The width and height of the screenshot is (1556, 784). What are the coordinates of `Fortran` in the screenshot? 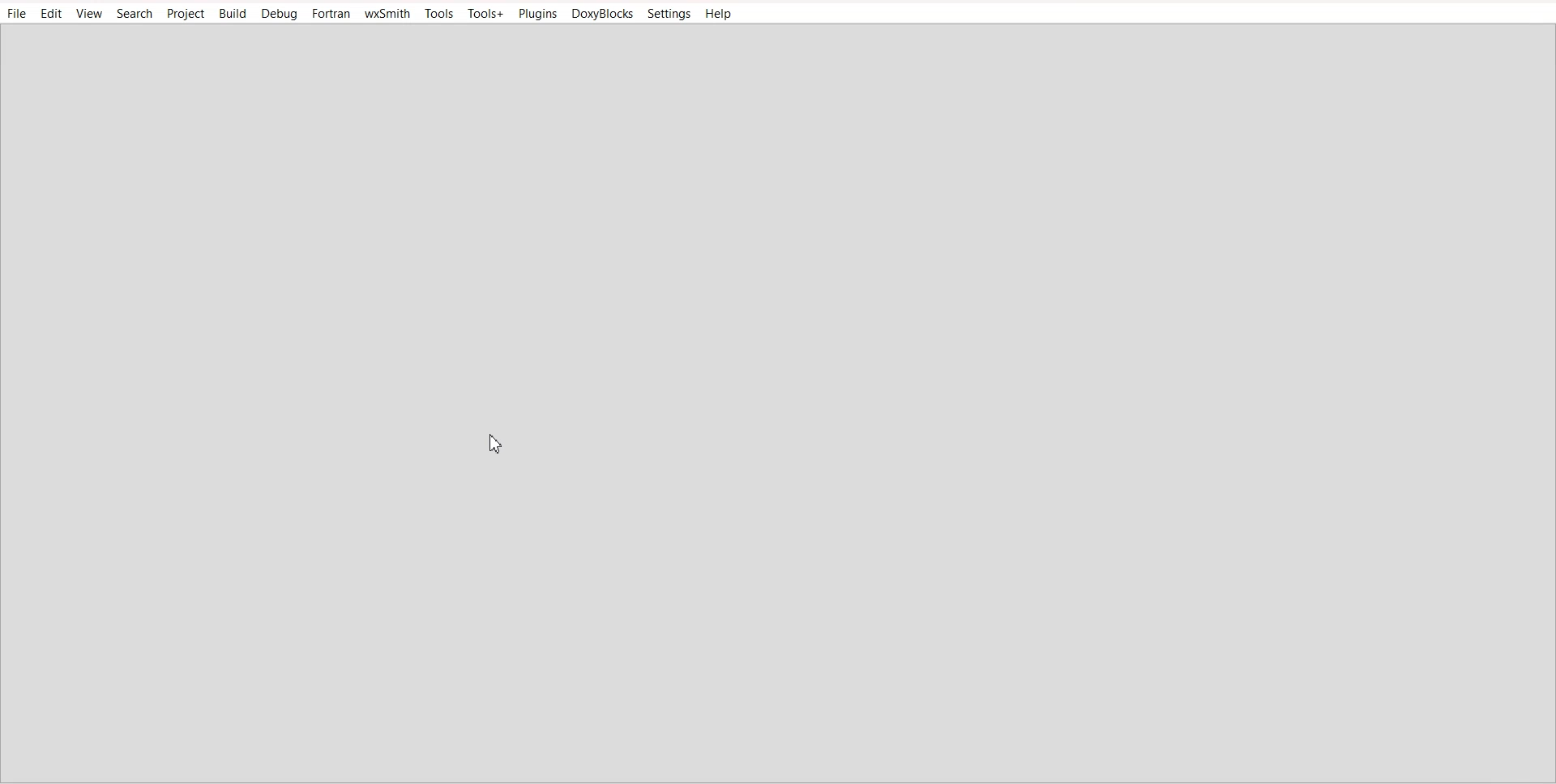 It's located at (331, 13).